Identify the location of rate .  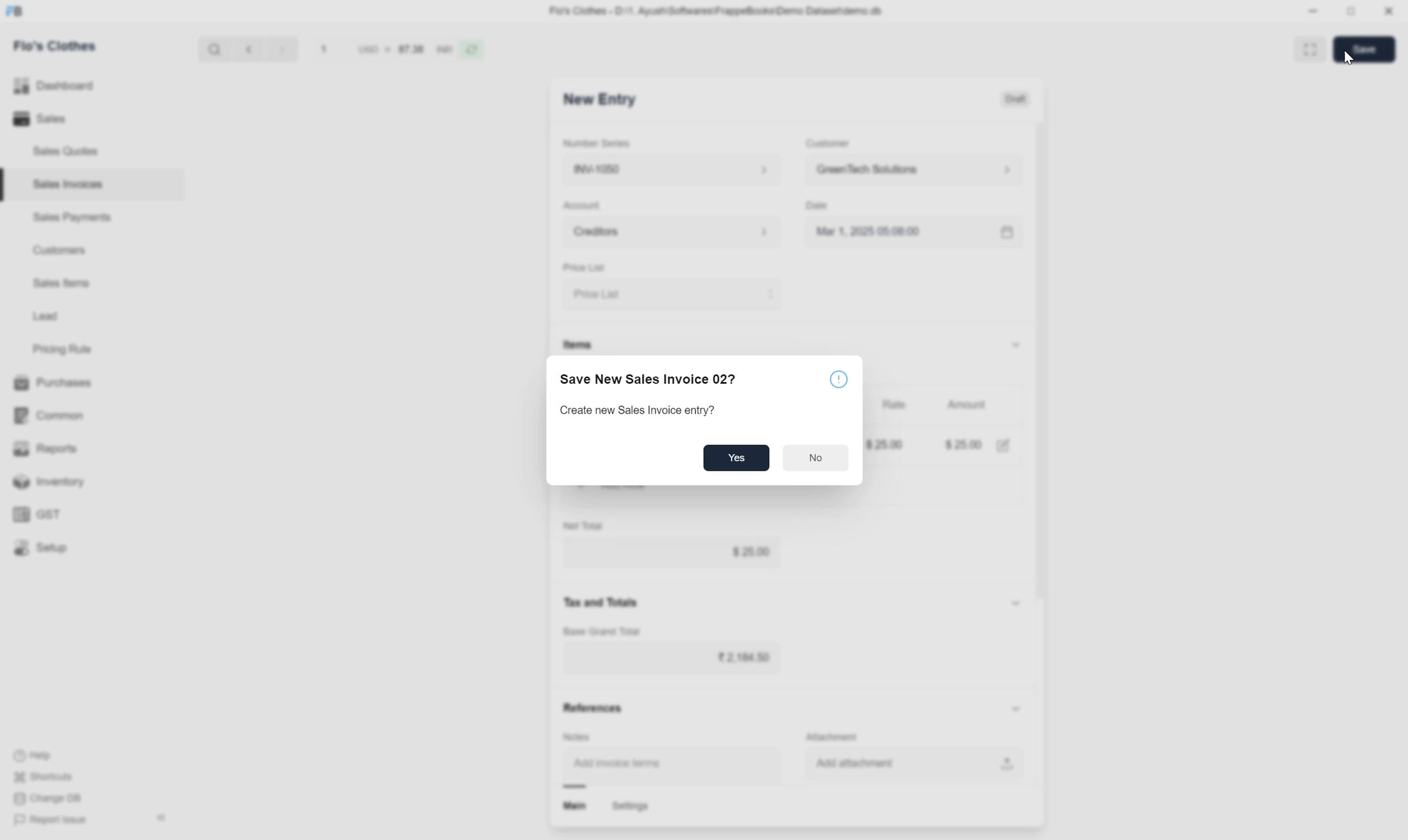
(885, 444).